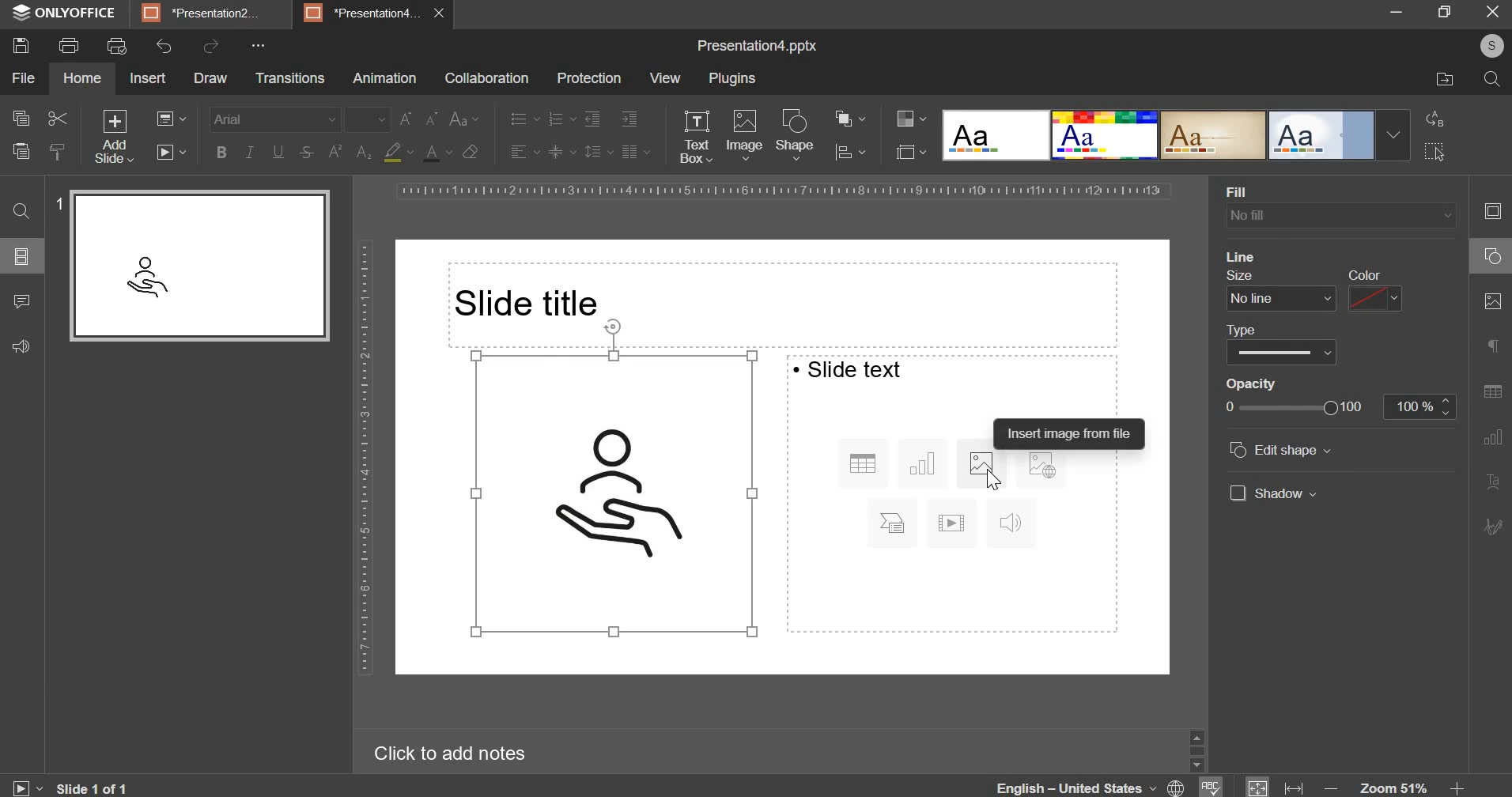 This screenshot has width=1512, height=797. Describe the element at coordinates (1434, 150) in the screenshot. I see `select` at that location.